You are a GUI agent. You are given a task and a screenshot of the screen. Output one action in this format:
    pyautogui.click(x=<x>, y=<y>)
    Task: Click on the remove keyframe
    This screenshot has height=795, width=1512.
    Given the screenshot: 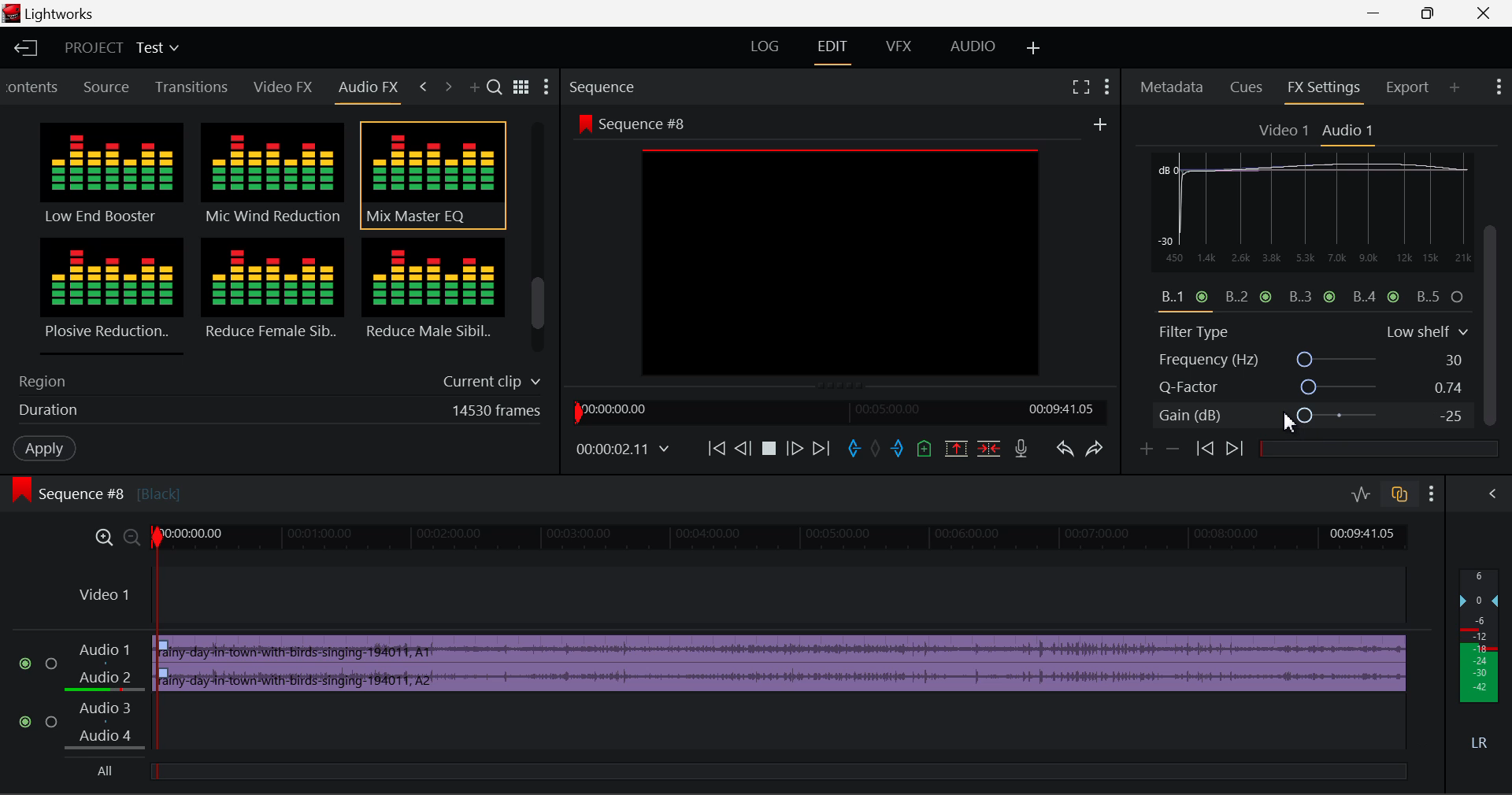 What is the action you would take?
    pyautogui.click(x=1177, y=449)
    